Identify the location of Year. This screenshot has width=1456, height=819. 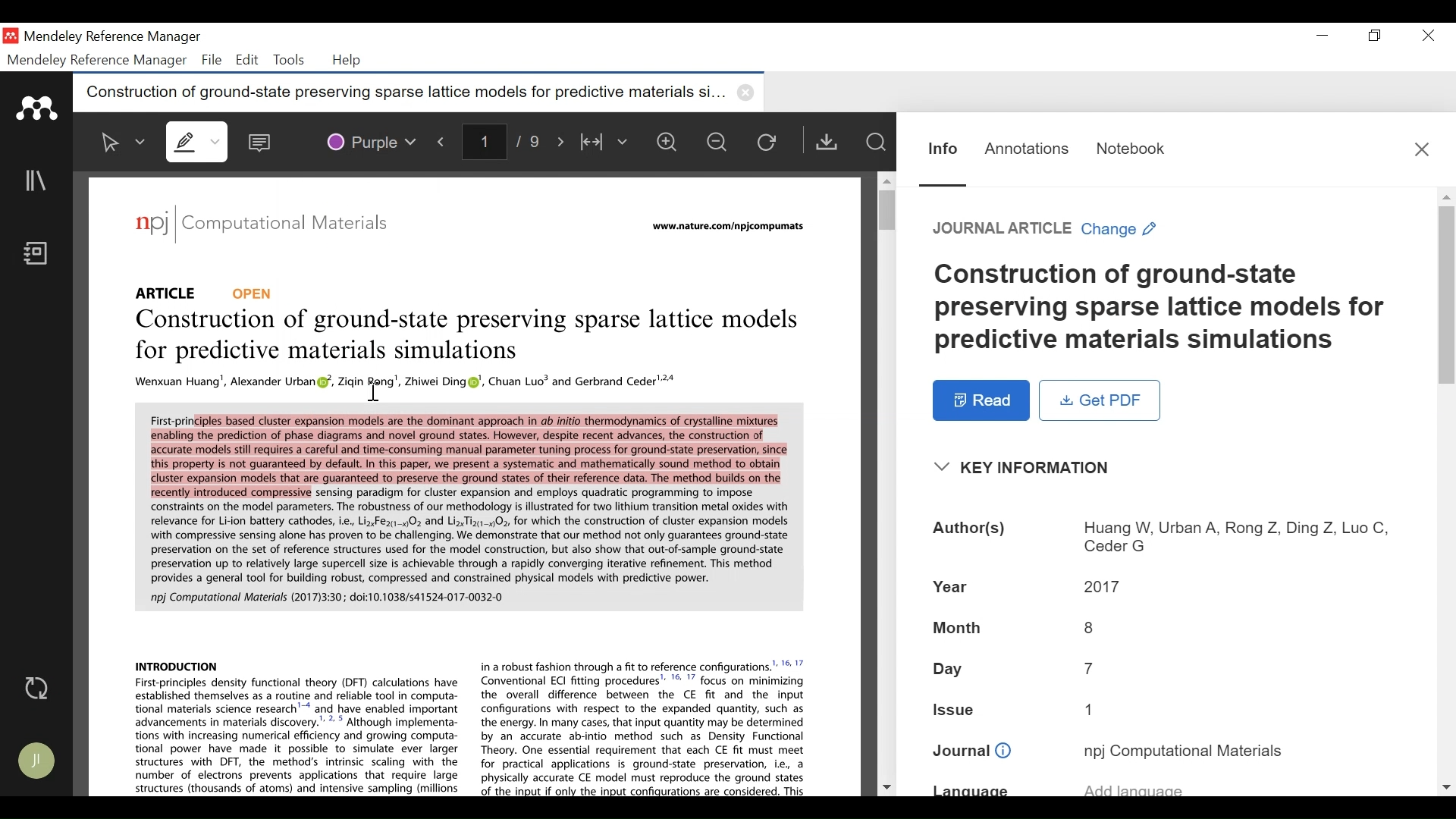
(952, 586).